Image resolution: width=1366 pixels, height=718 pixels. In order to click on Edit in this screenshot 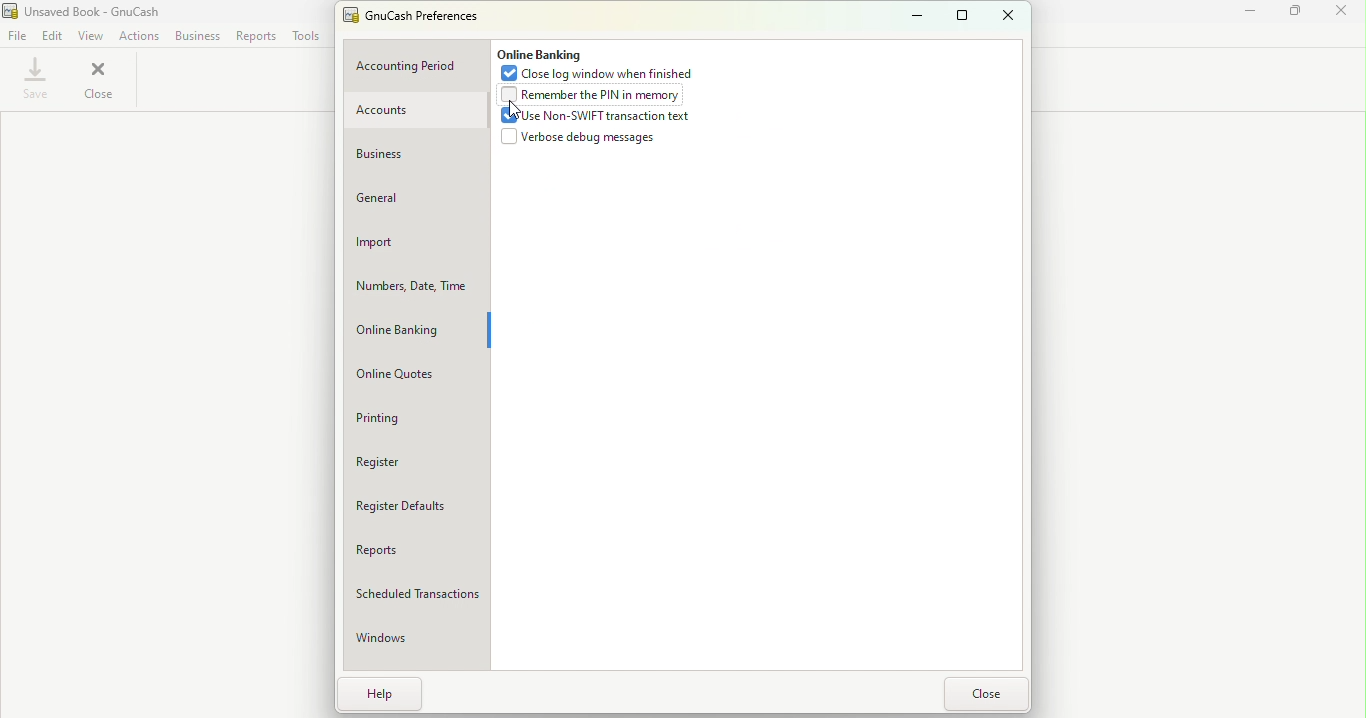, I will do `click(52, 36)`.